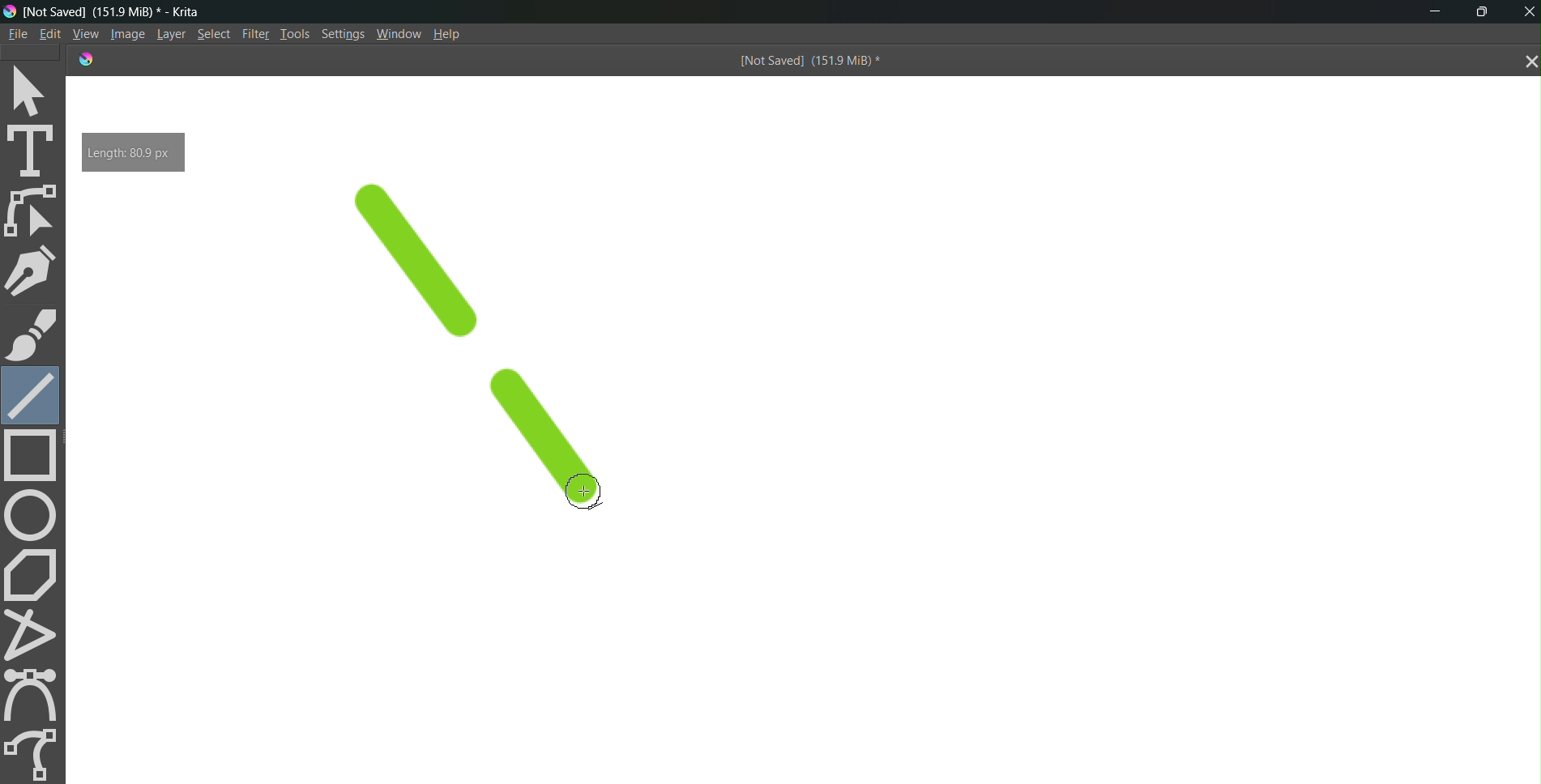 This screenshot has width=1541, height=784. Describe the element at coordinates (399, 34) in the screenshot. I see `Window` at that location.